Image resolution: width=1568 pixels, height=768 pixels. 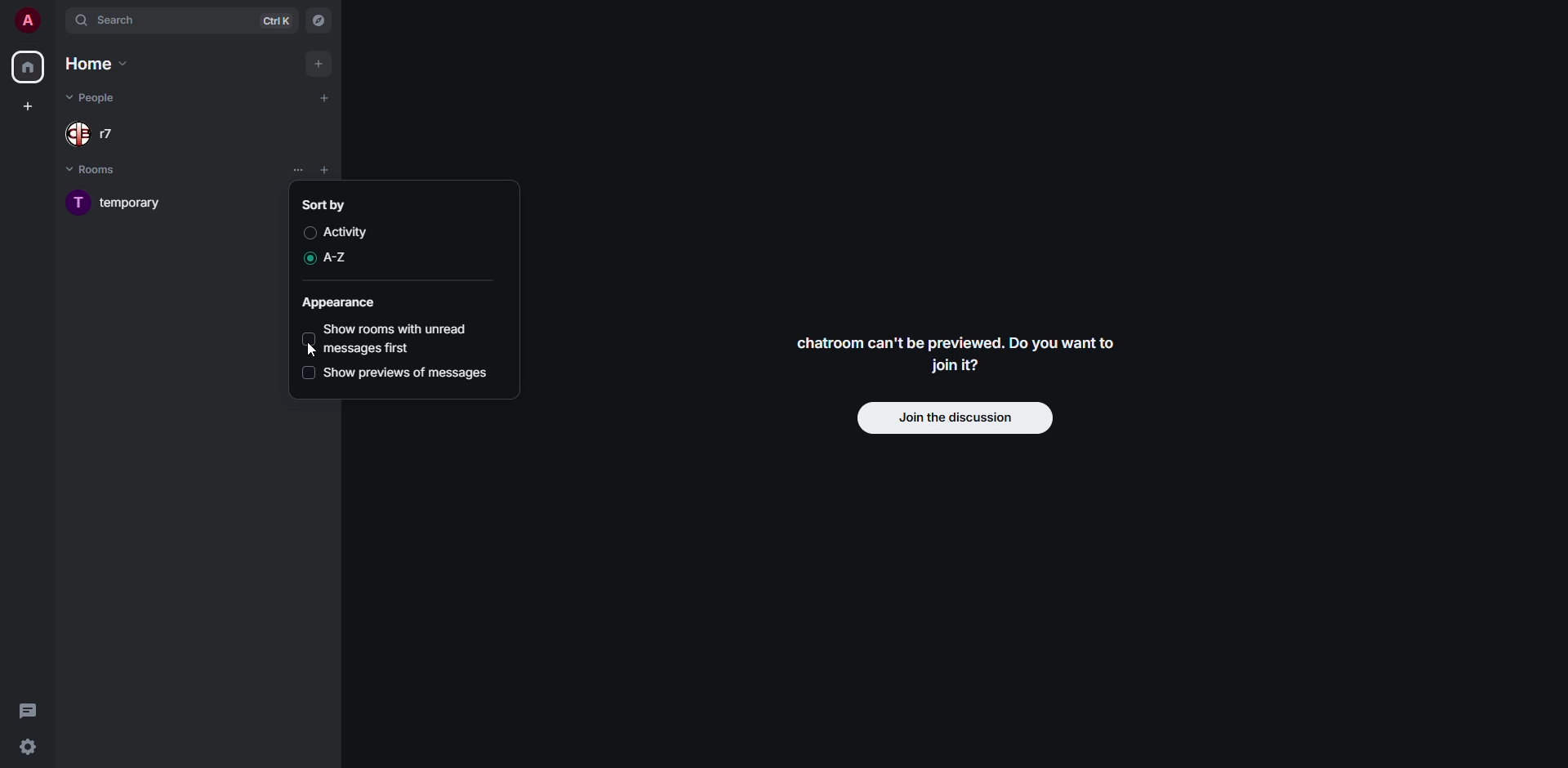 What do you see at coordinates (30, 746) in the screenshot?
I see `quick settings` at bounding box center [30, 746].